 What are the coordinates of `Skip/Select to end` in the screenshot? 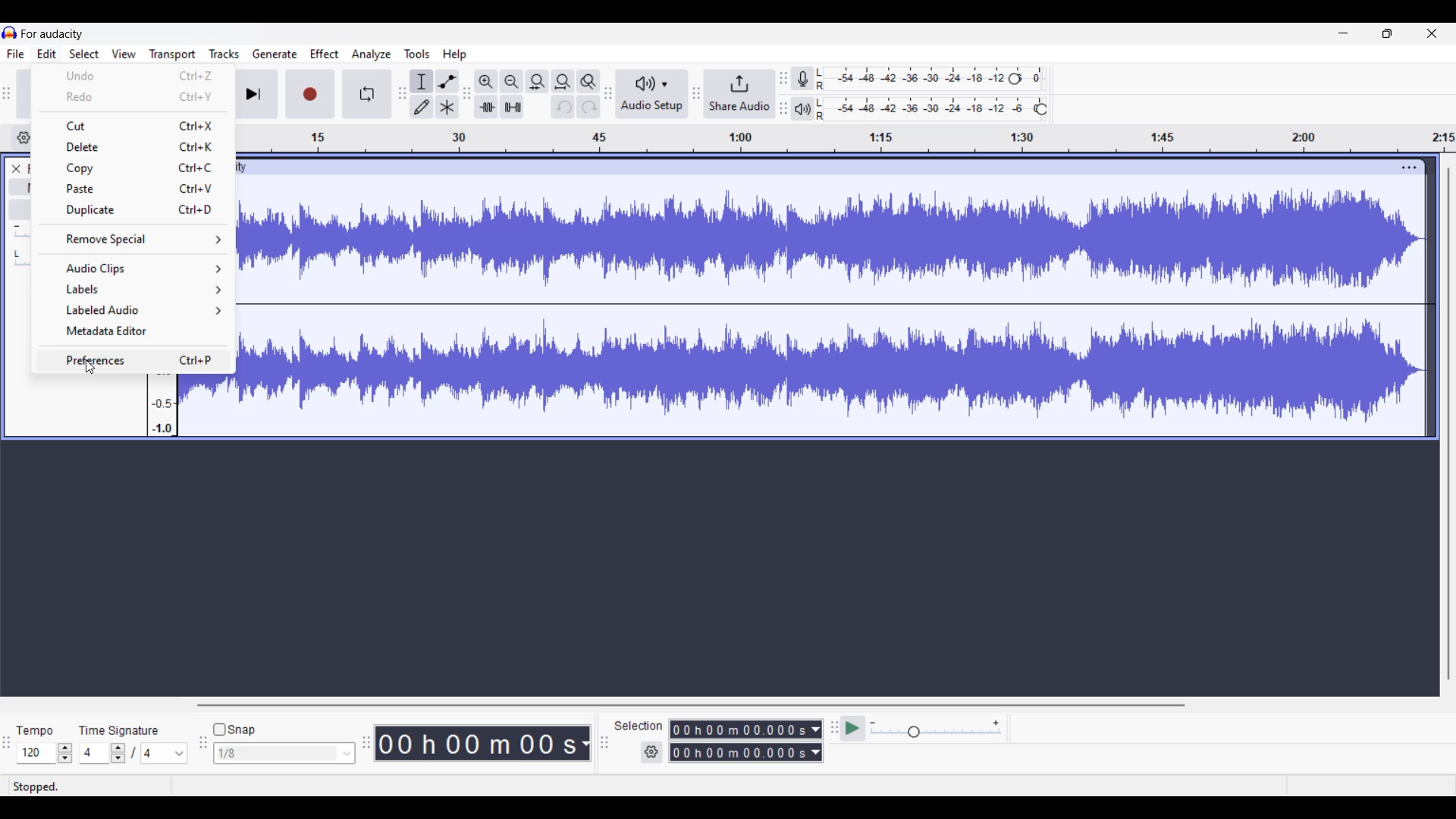 It's located at (253, 94).